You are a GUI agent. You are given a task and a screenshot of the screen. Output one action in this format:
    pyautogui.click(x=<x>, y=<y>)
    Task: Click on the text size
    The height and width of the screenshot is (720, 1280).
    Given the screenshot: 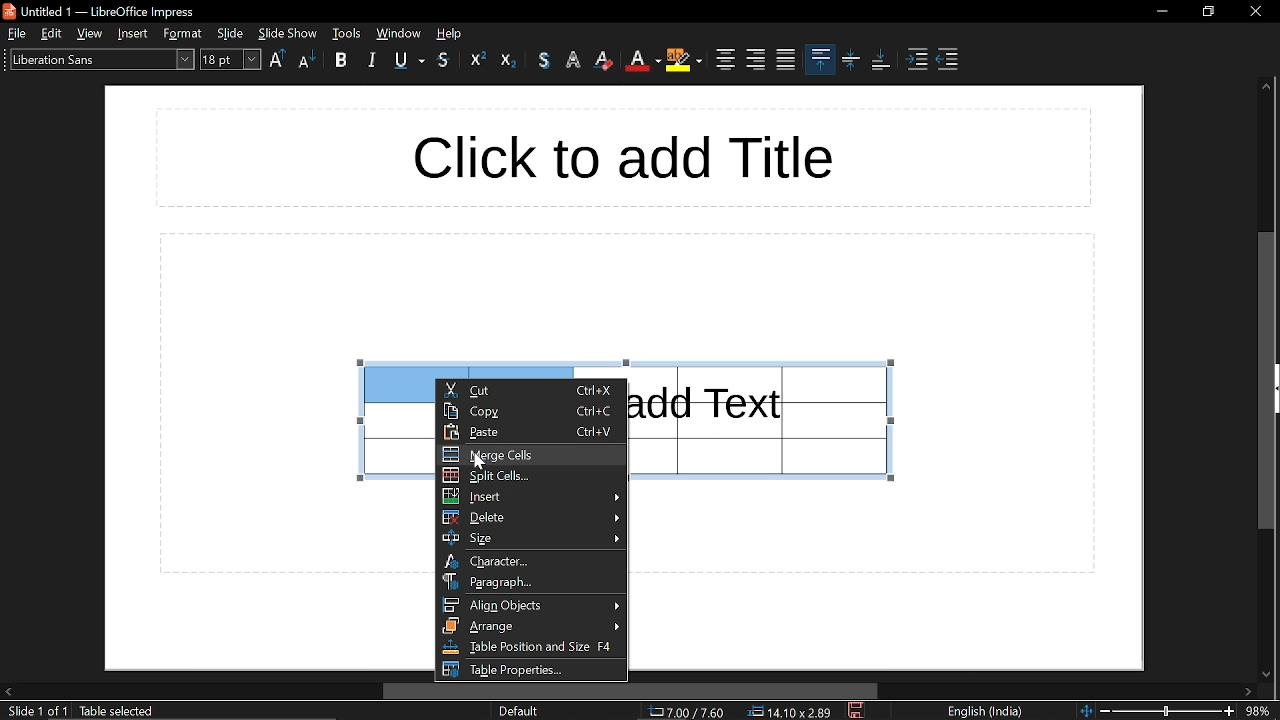 What is the action you would take?
    pyautogui.click(x=231, y=61)
    